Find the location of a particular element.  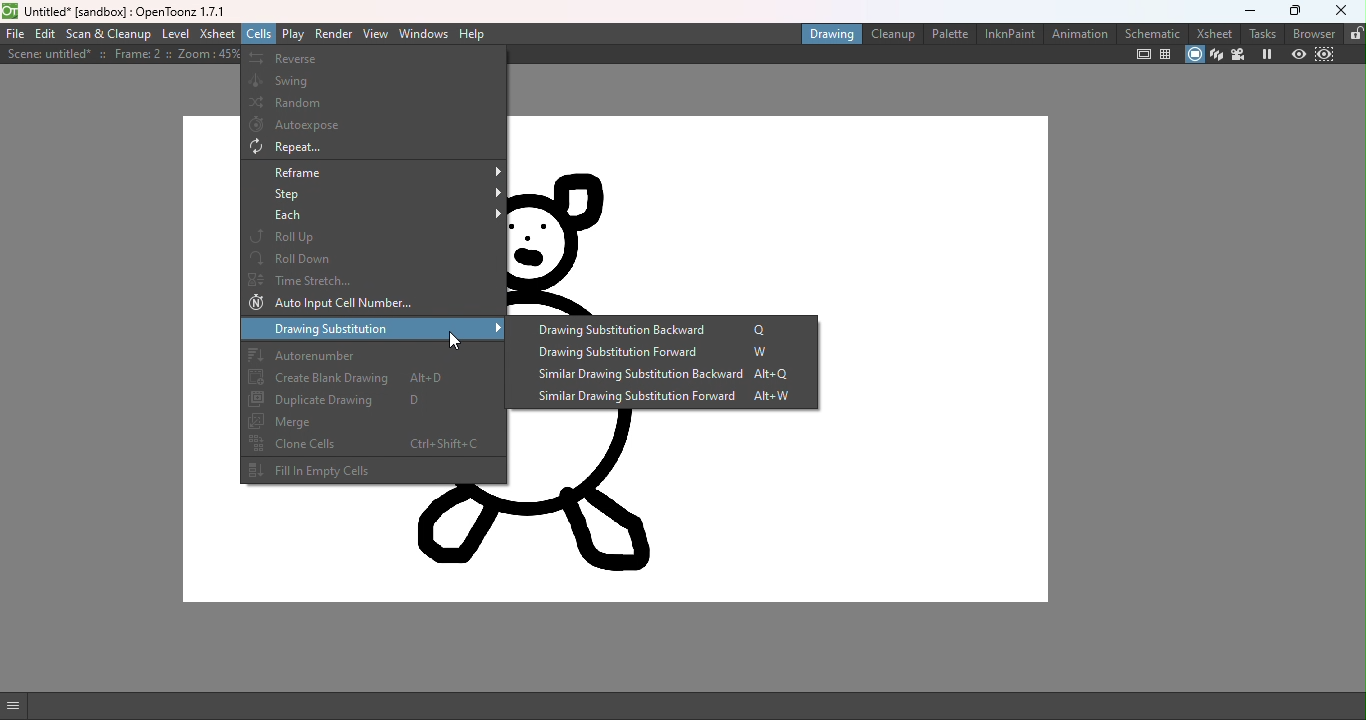

Close is located at coordinates (1343, 12).